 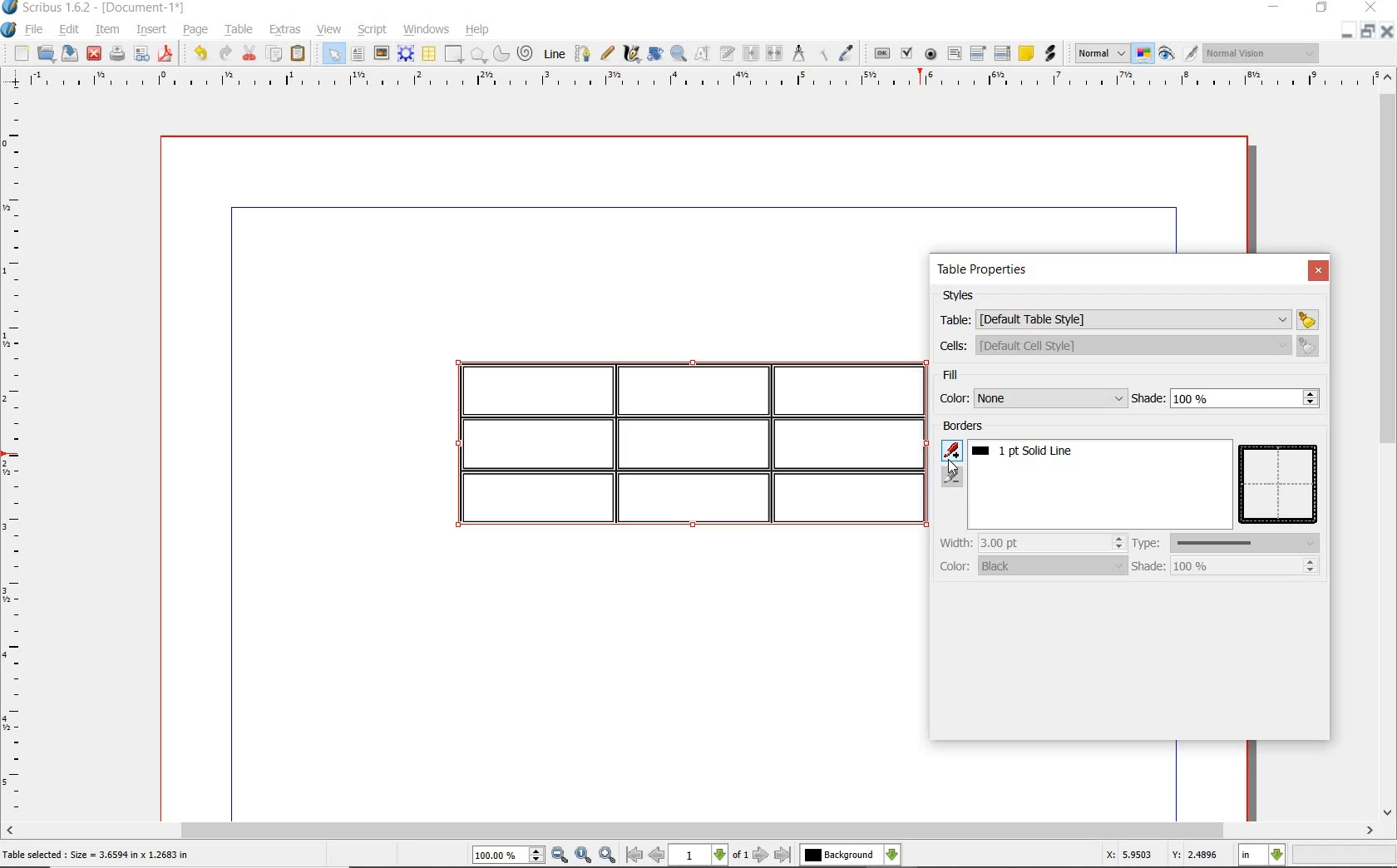 What do you see at coordinates (429, 55) in the screenshot?
I see `table` at bounding box center [429, 55].